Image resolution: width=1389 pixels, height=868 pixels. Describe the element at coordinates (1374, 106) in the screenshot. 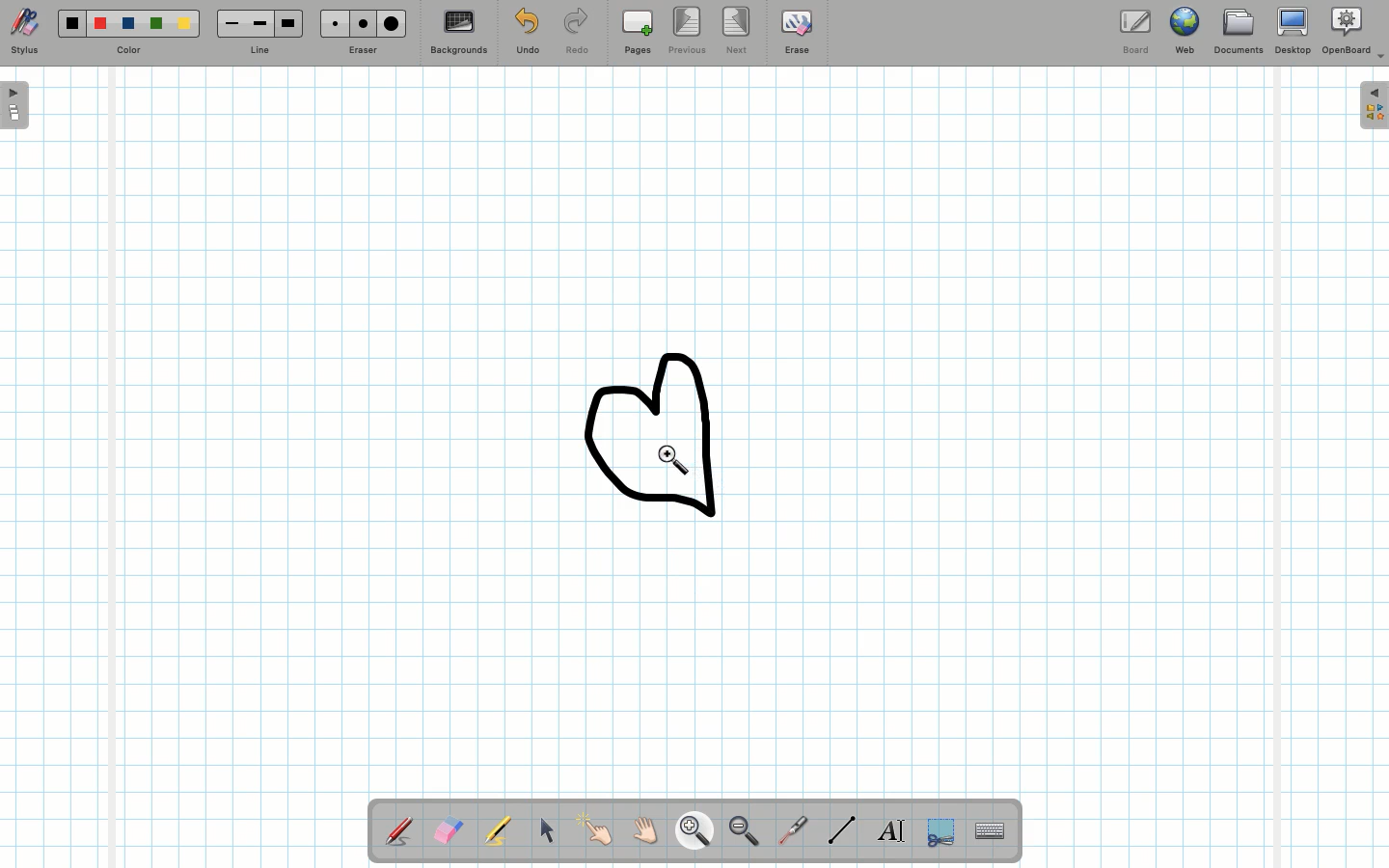

I see `Expand folder` at that location.